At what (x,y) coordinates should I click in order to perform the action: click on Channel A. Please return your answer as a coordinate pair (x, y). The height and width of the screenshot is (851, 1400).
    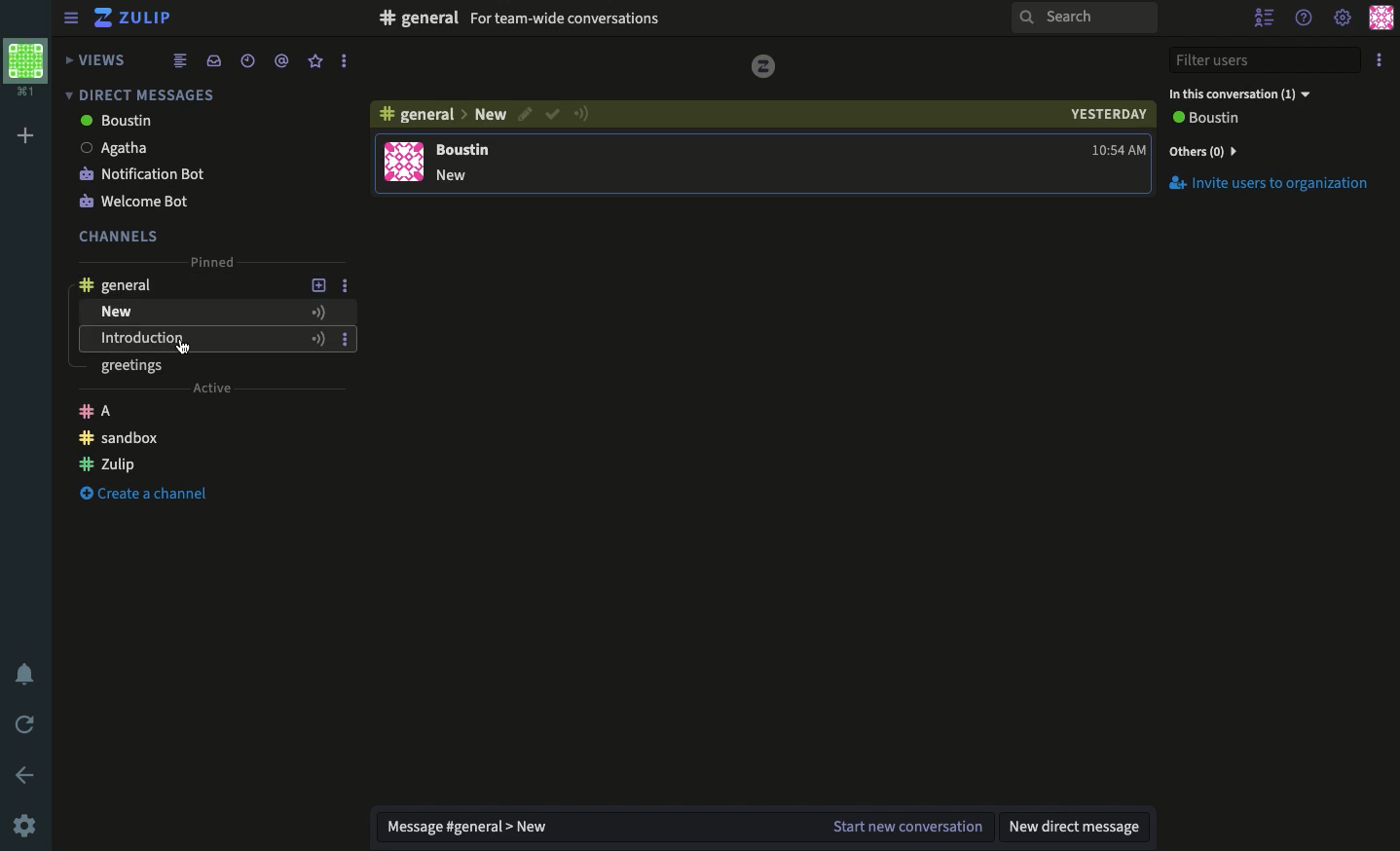
    Looking at the image, I should click on (205, 414).